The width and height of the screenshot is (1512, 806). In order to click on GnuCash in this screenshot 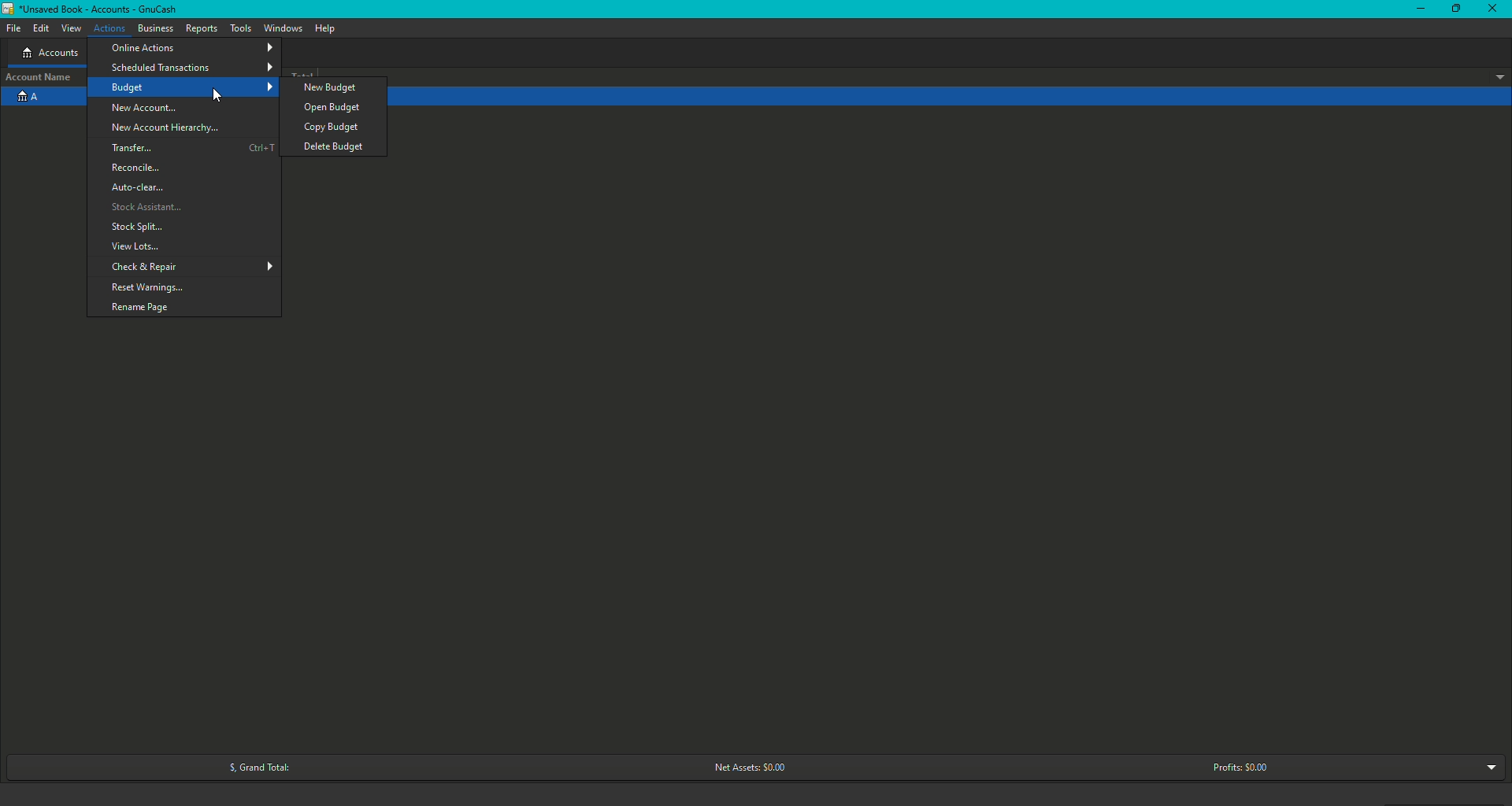, I will do `click(93, 8)`.